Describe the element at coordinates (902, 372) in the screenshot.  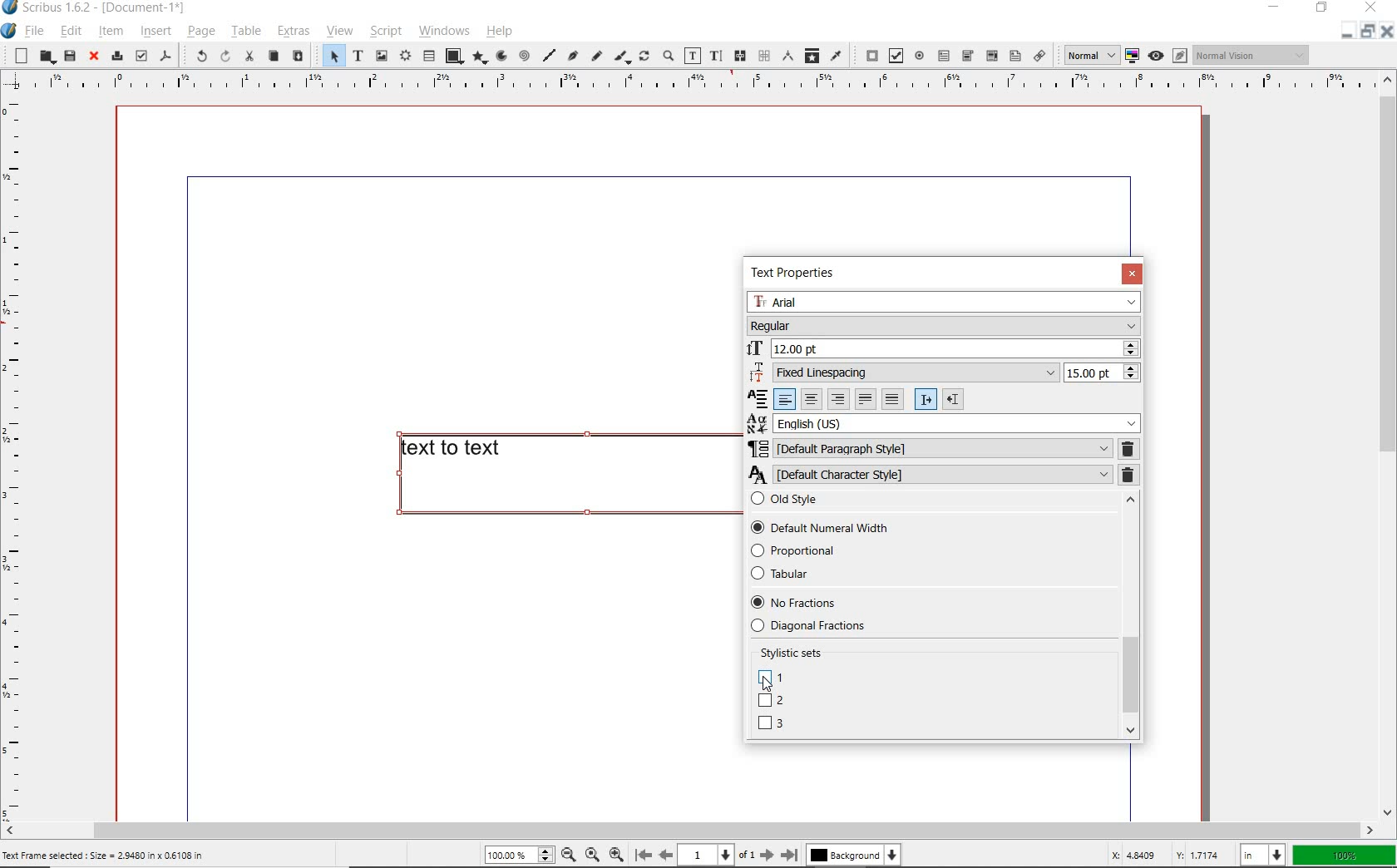
I see `Fixed Linespacing` at that location.